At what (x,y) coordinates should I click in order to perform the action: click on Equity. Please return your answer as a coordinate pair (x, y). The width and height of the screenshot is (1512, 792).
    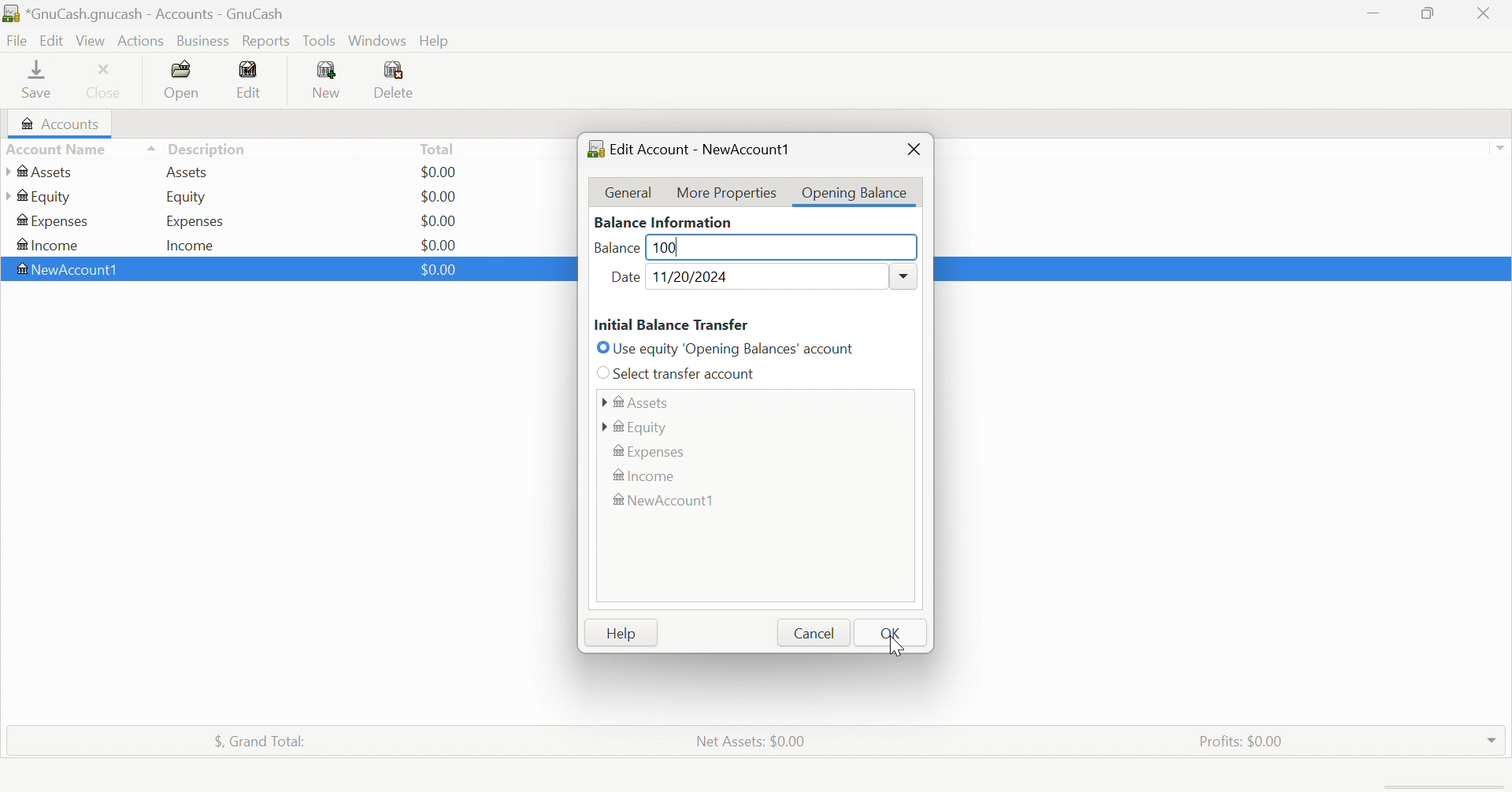
    Looking at the image, I should click on (187, 198).